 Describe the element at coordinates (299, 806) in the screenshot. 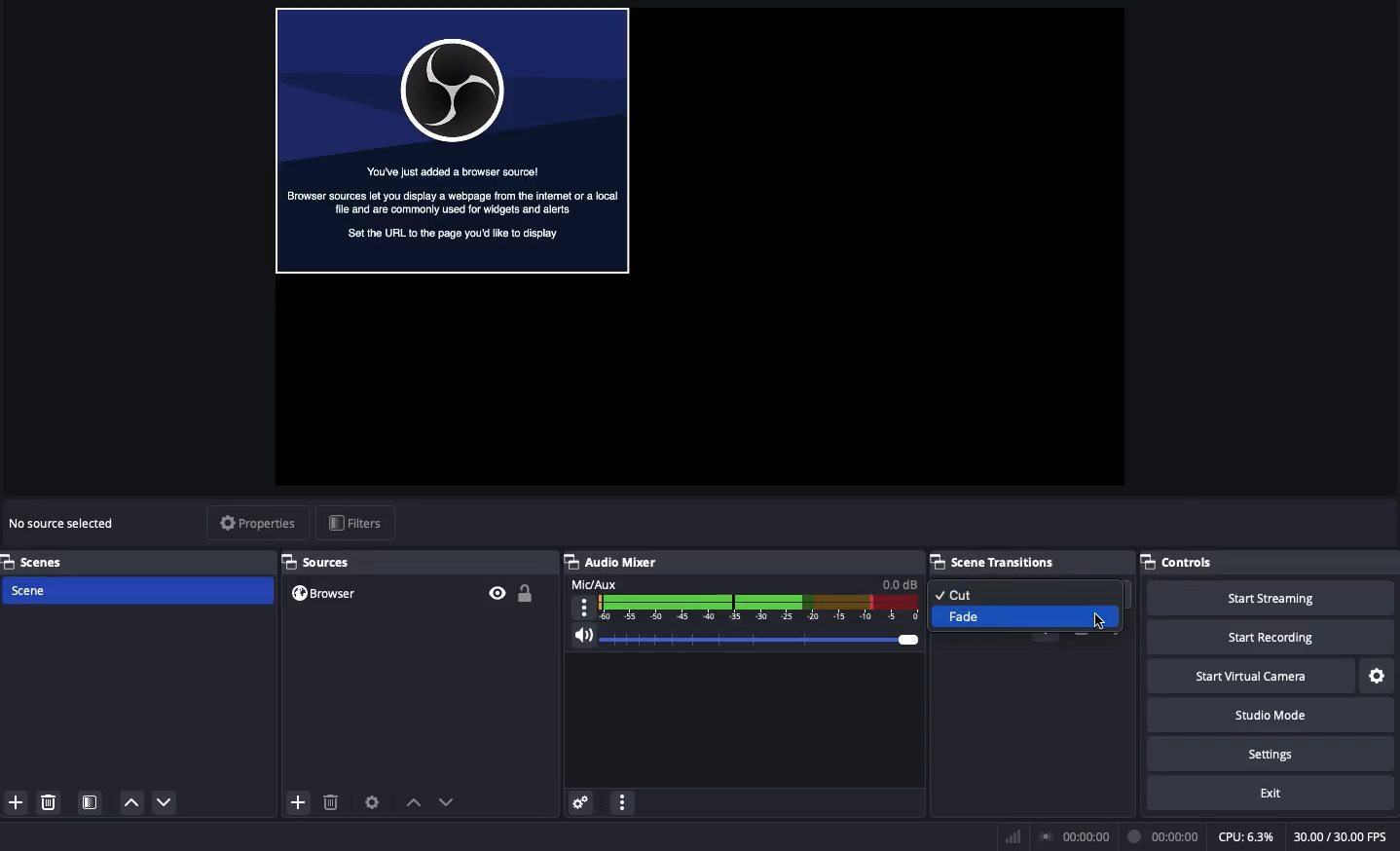

I see `add` at that location.